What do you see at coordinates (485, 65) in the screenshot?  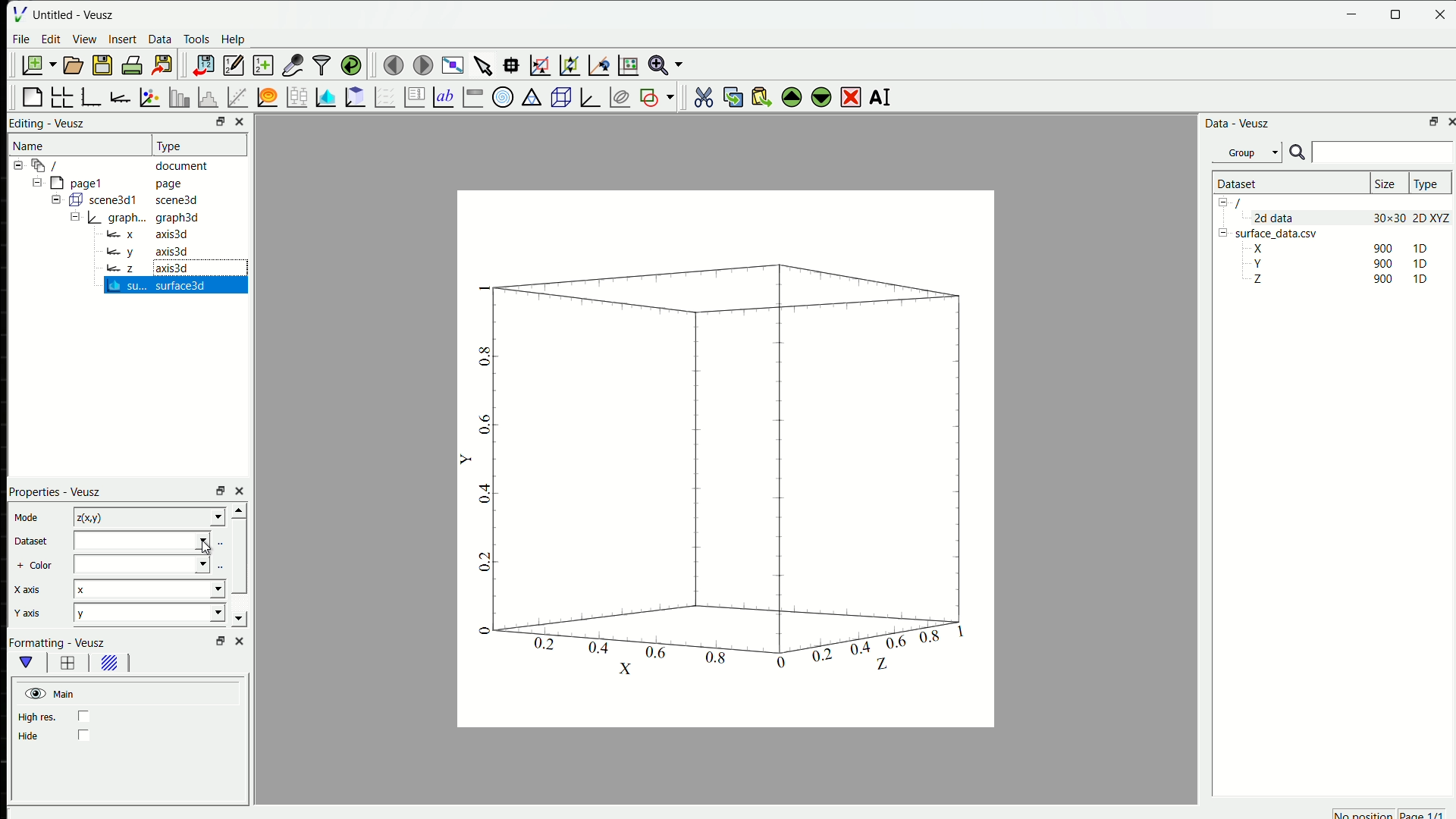 I see `select the items from the graph or scroll` at bounding box center [485, 65].